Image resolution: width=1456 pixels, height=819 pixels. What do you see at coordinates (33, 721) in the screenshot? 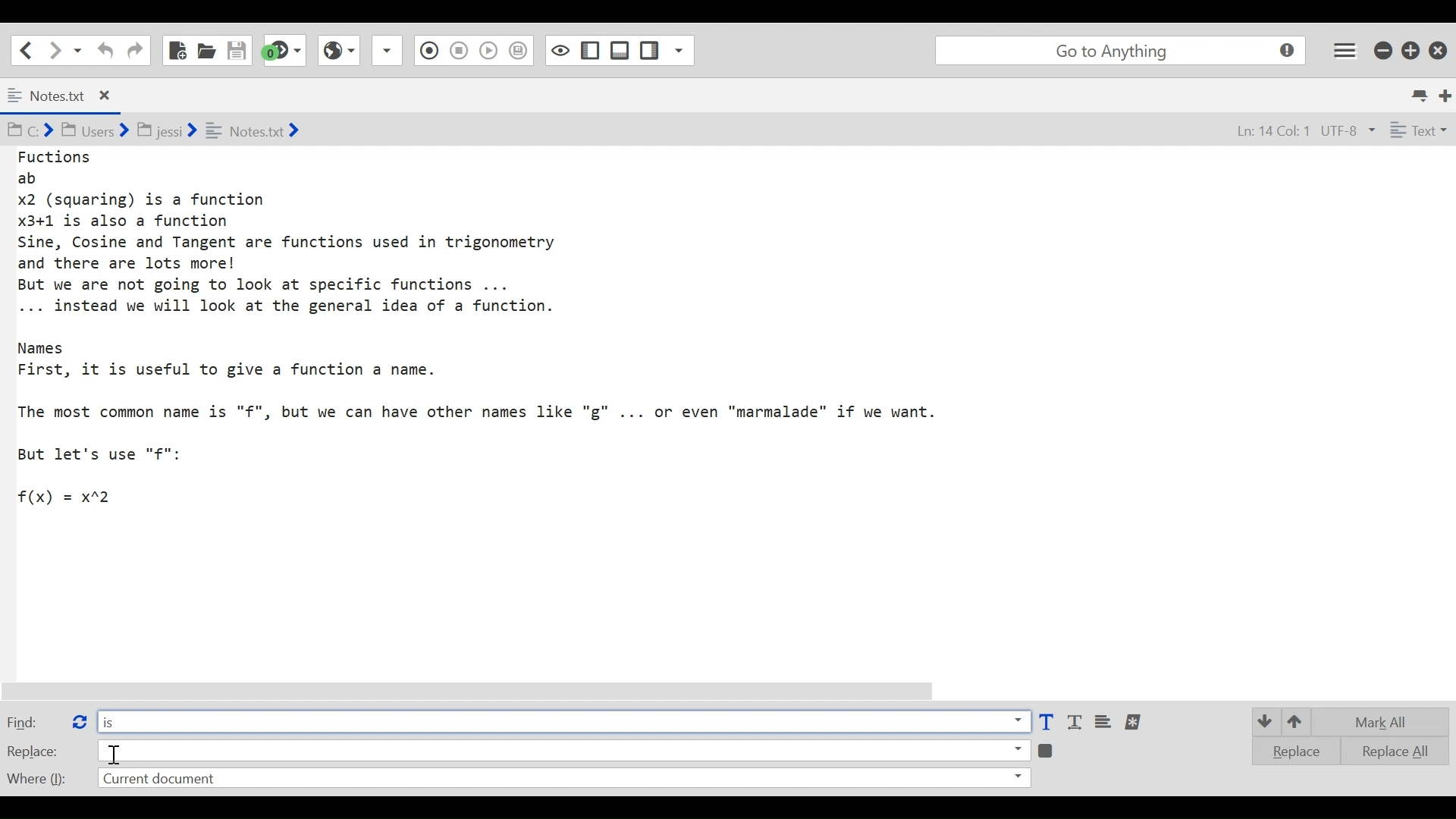
I see `Find` at bounding box center [33, 721].